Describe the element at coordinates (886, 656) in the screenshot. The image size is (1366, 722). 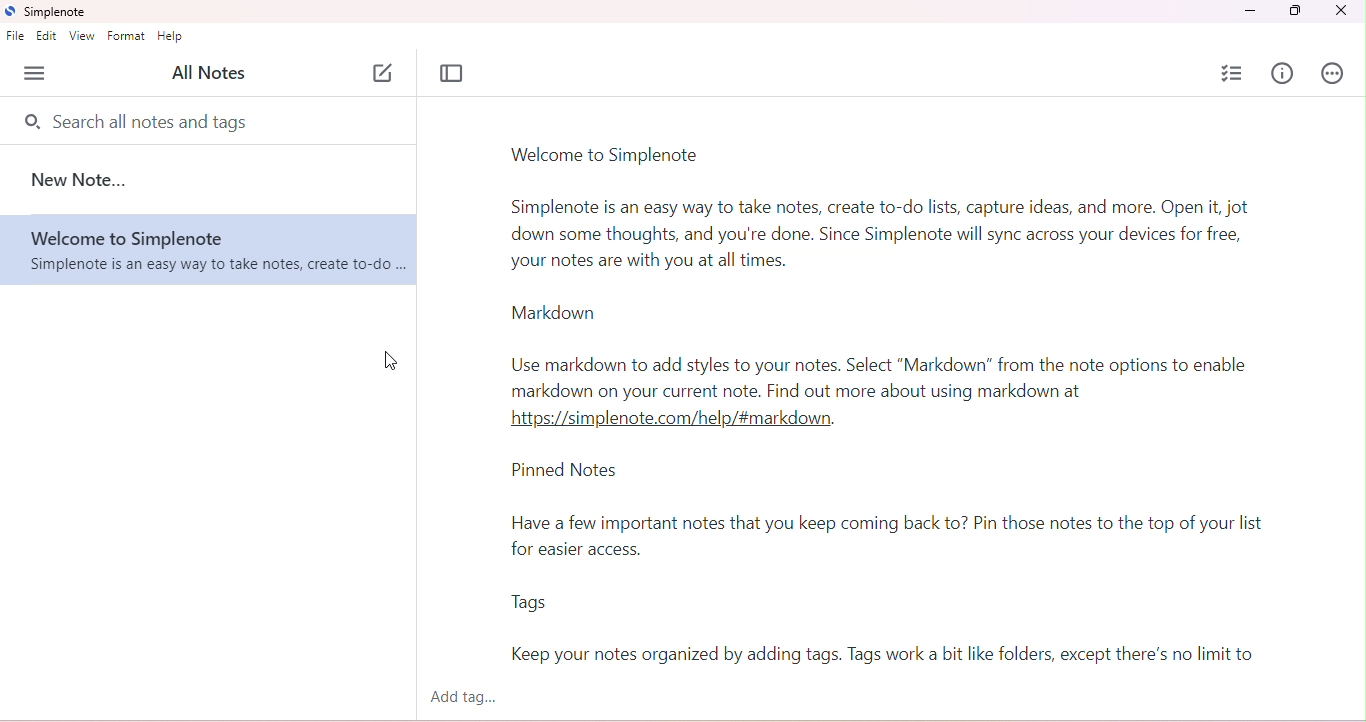
I see `text on tags` at that location.